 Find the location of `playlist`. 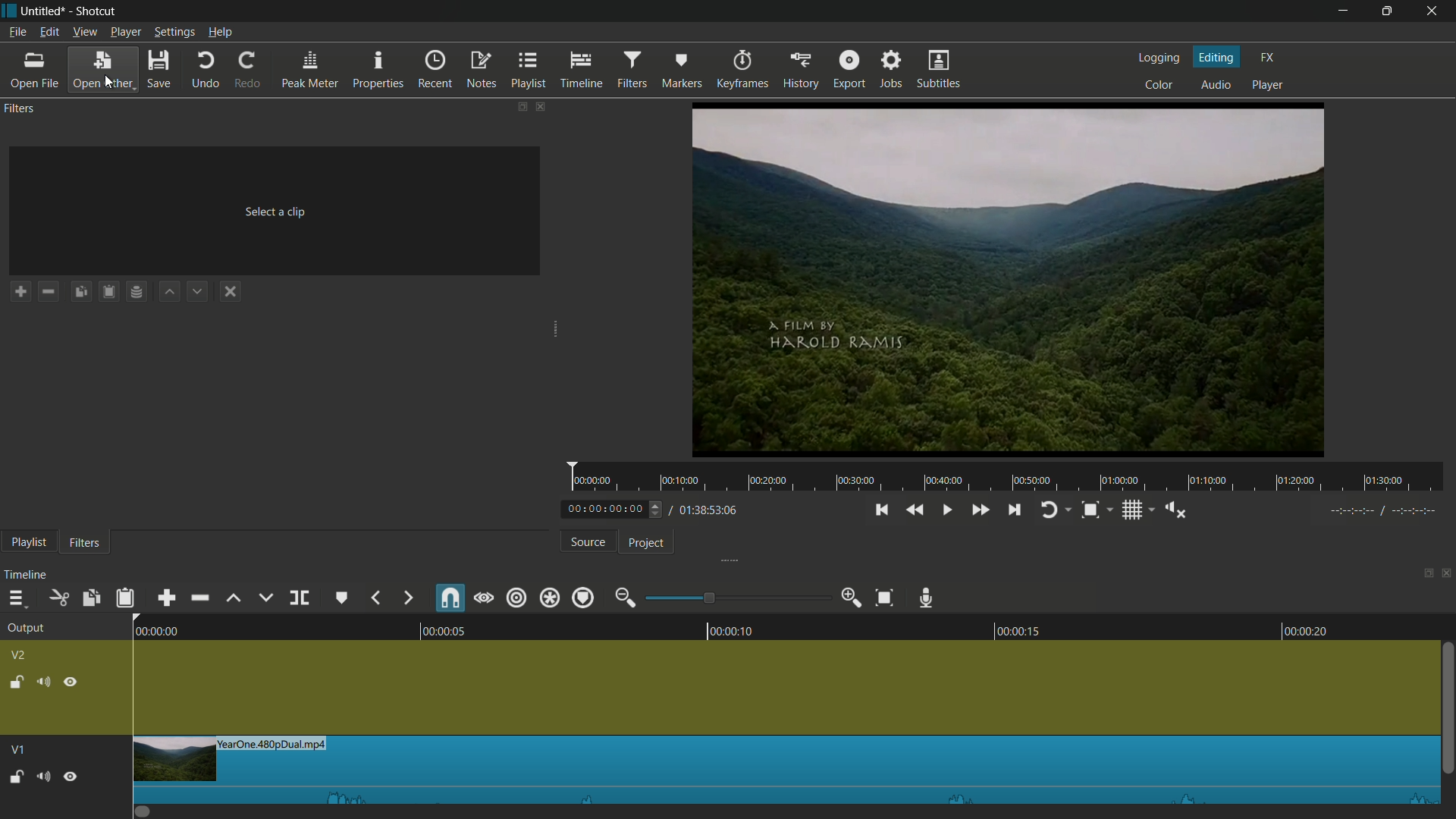

playlist is located at coordinates (28, 541).